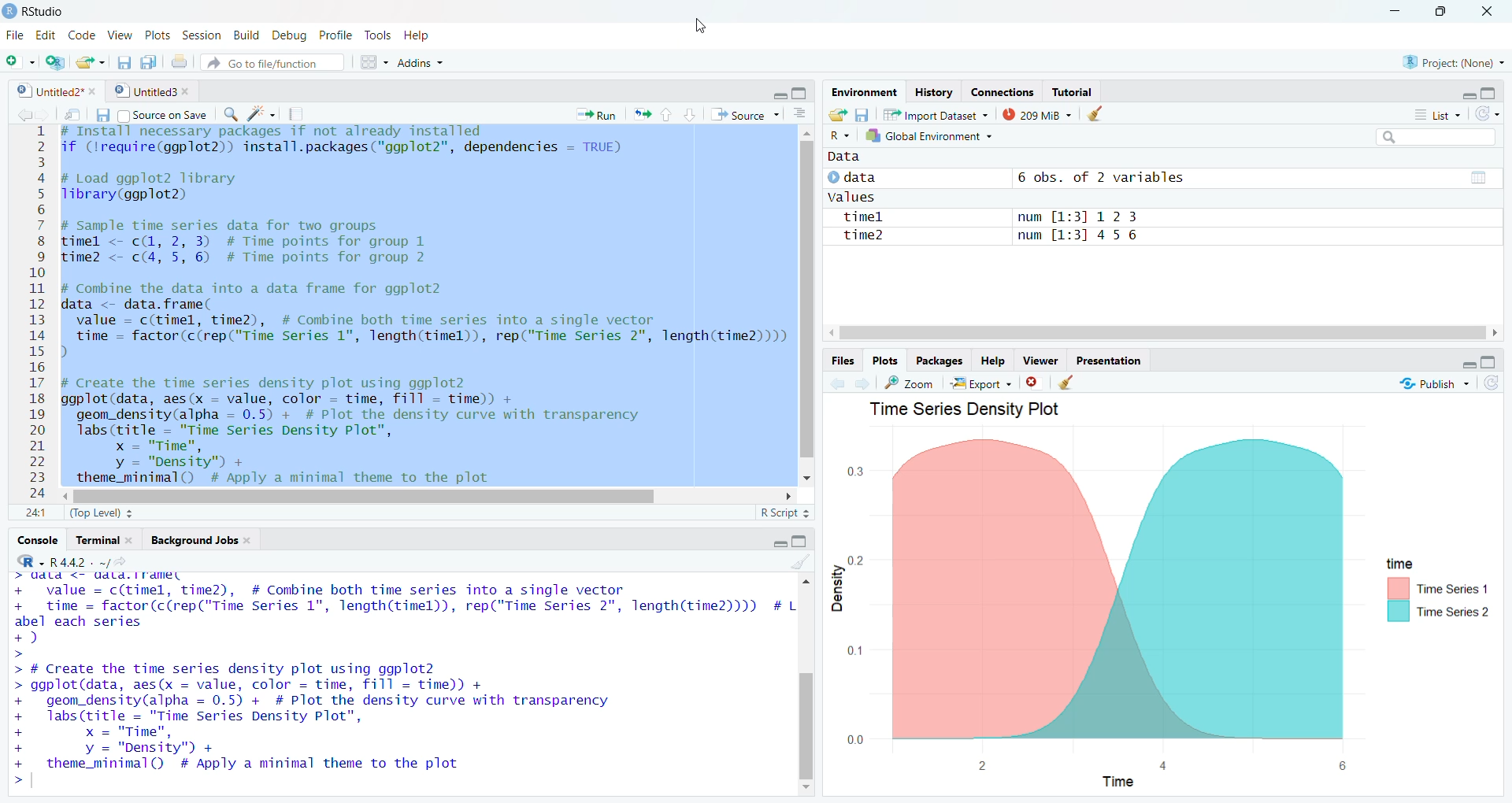  Describe the element at coordinates (799, 541) in the screenshot. I see `Maximize` at that location.